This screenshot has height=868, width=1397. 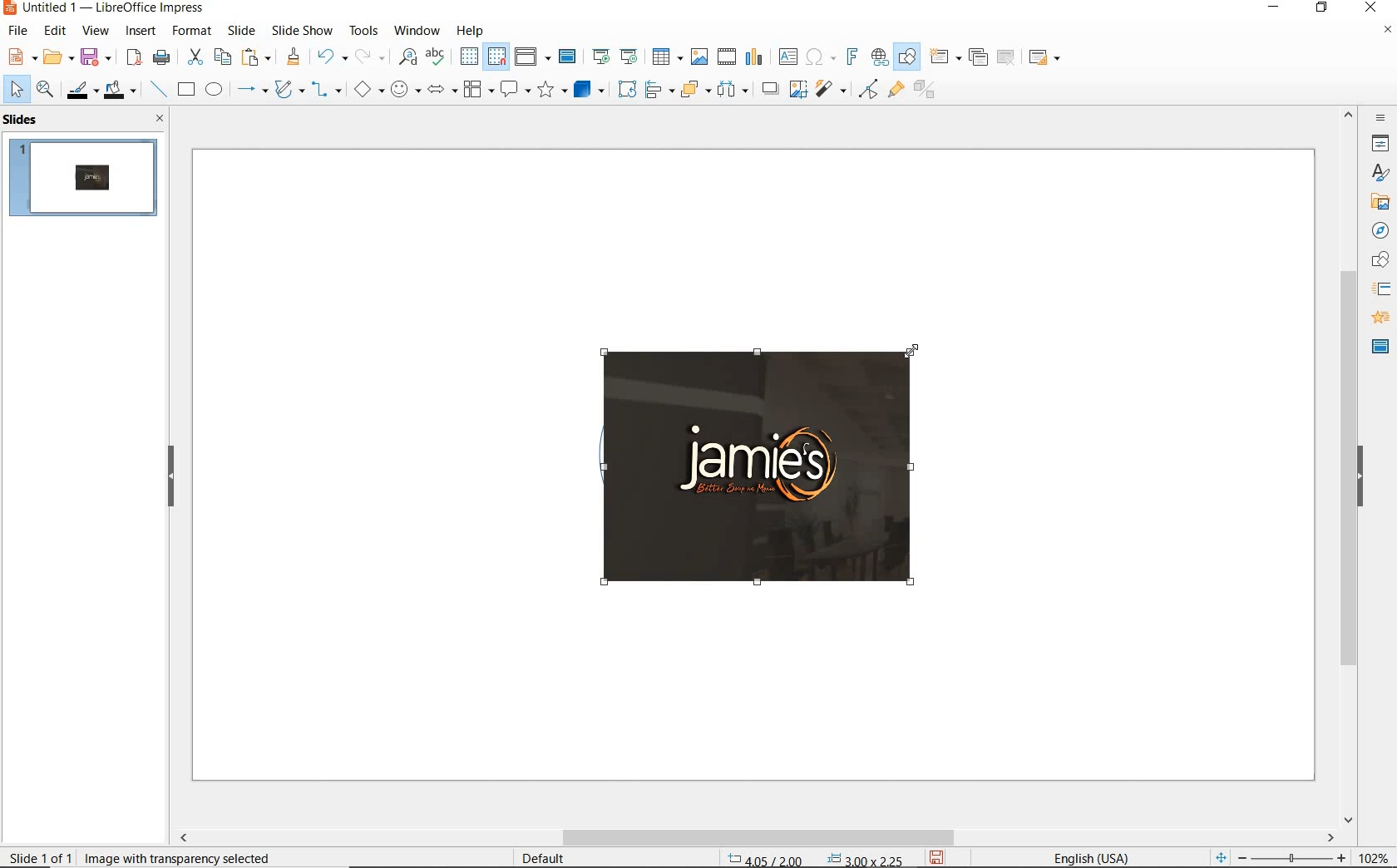 I want to click on select, so click(x=17, y=90).